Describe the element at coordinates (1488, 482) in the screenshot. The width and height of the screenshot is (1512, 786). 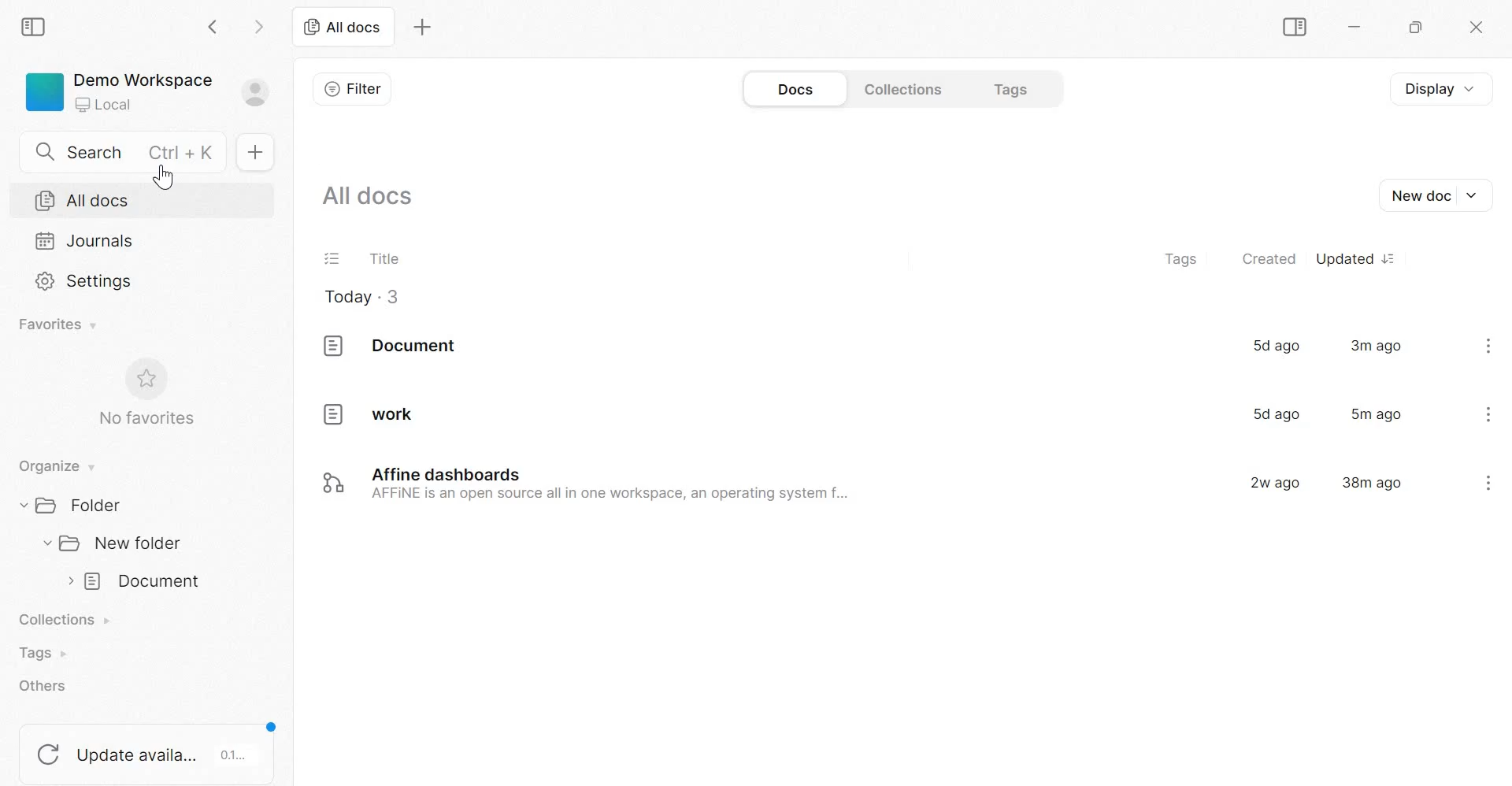
I see `kebab menu` at that location.